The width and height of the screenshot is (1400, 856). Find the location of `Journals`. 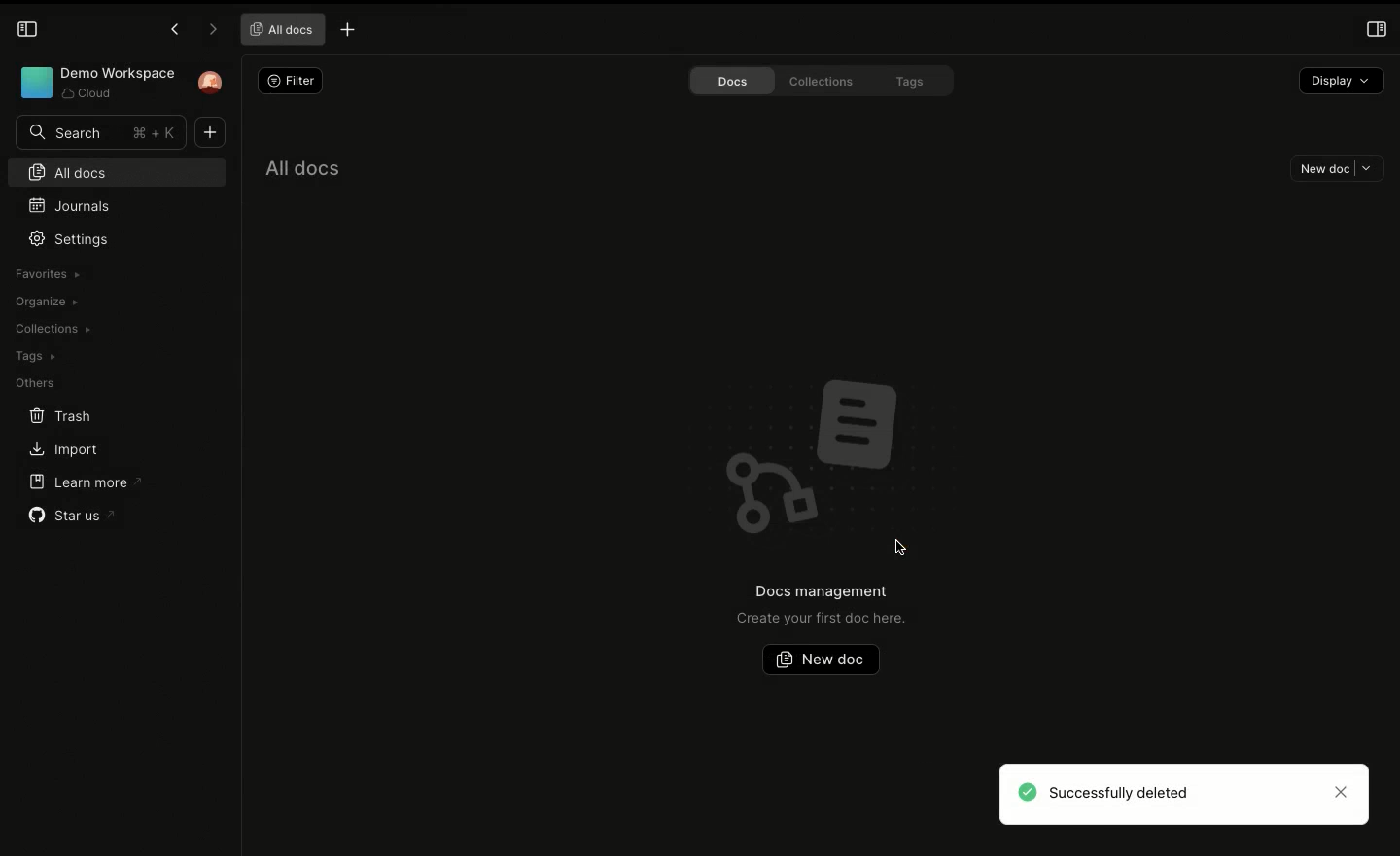

Journals is located at coordinates (71, 206).